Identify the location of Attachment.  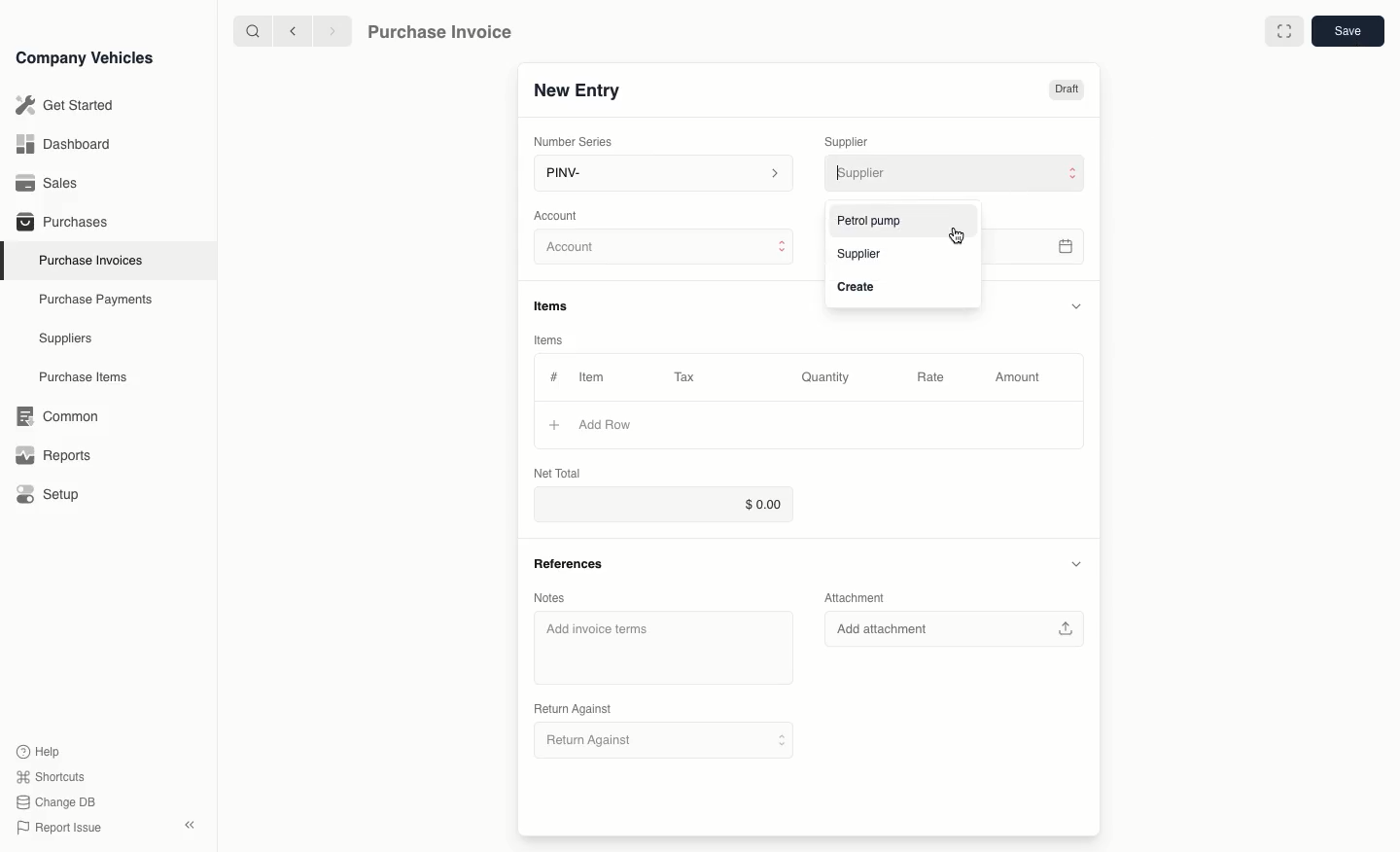
(861, 597).